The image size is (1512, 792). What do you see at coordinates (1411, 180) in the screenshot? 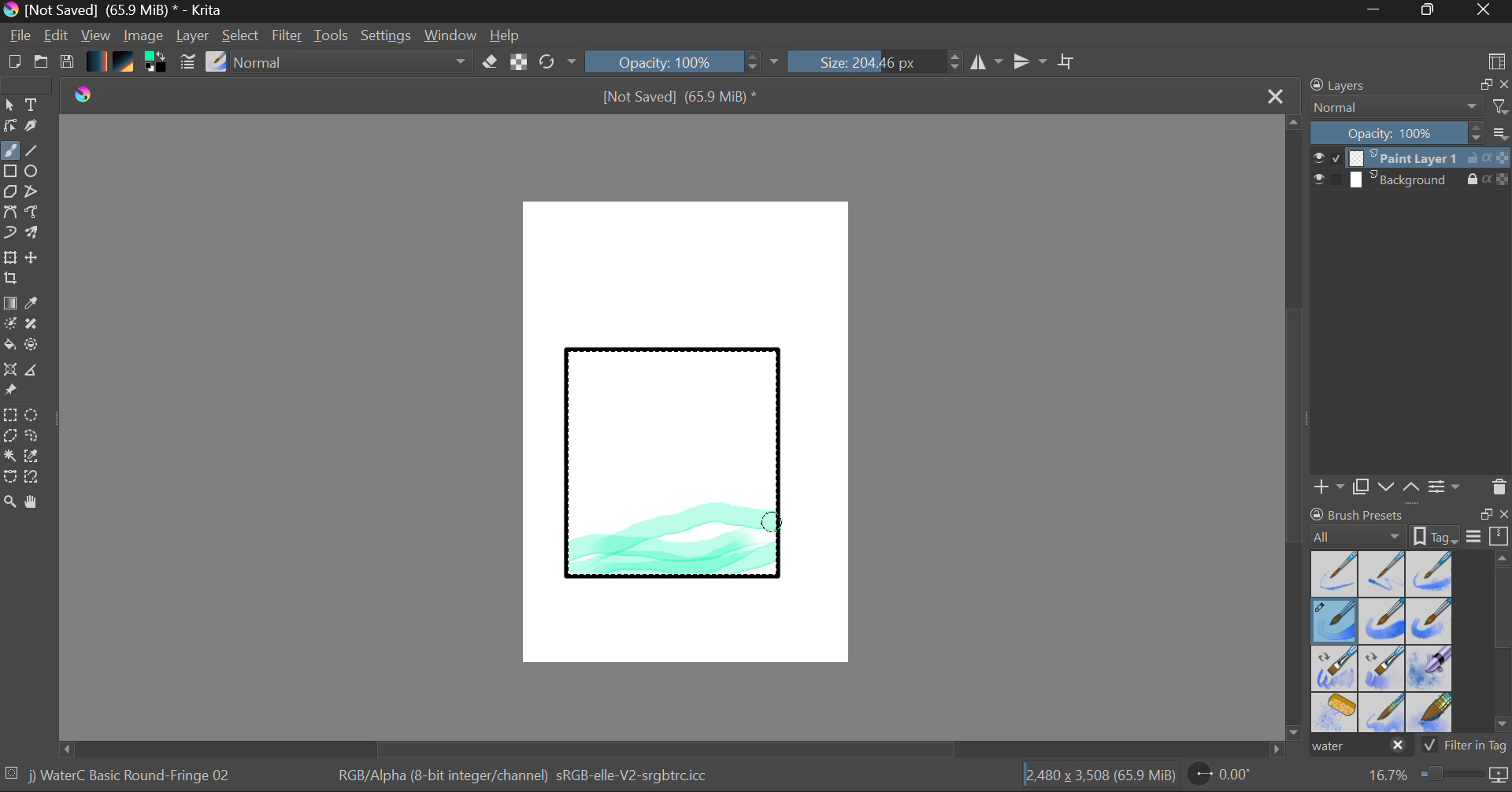
I see `Background Layer` at bounding box center [1411, 180].